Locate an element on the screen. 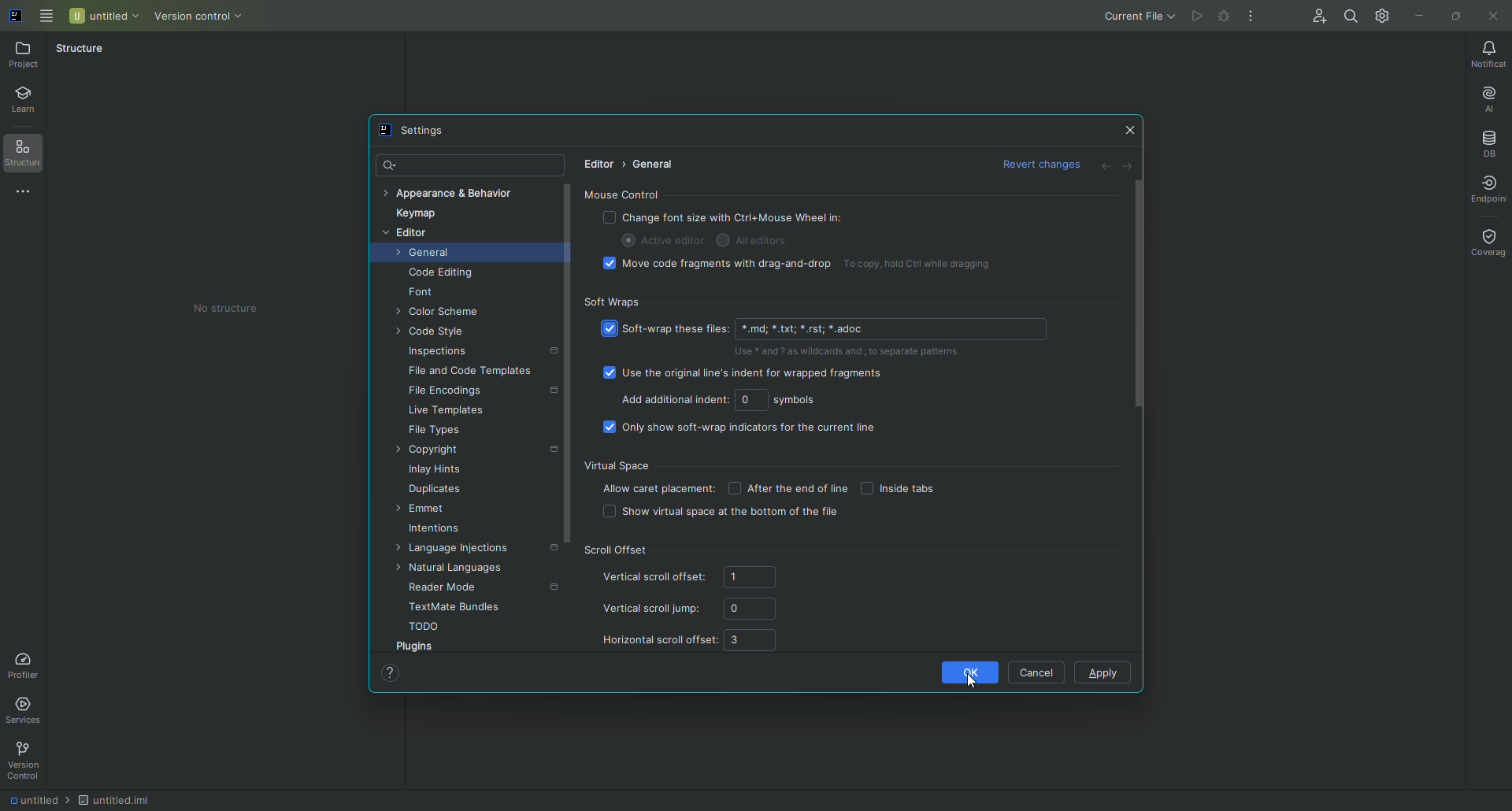  Keymap is located at coordinates (420, 215).